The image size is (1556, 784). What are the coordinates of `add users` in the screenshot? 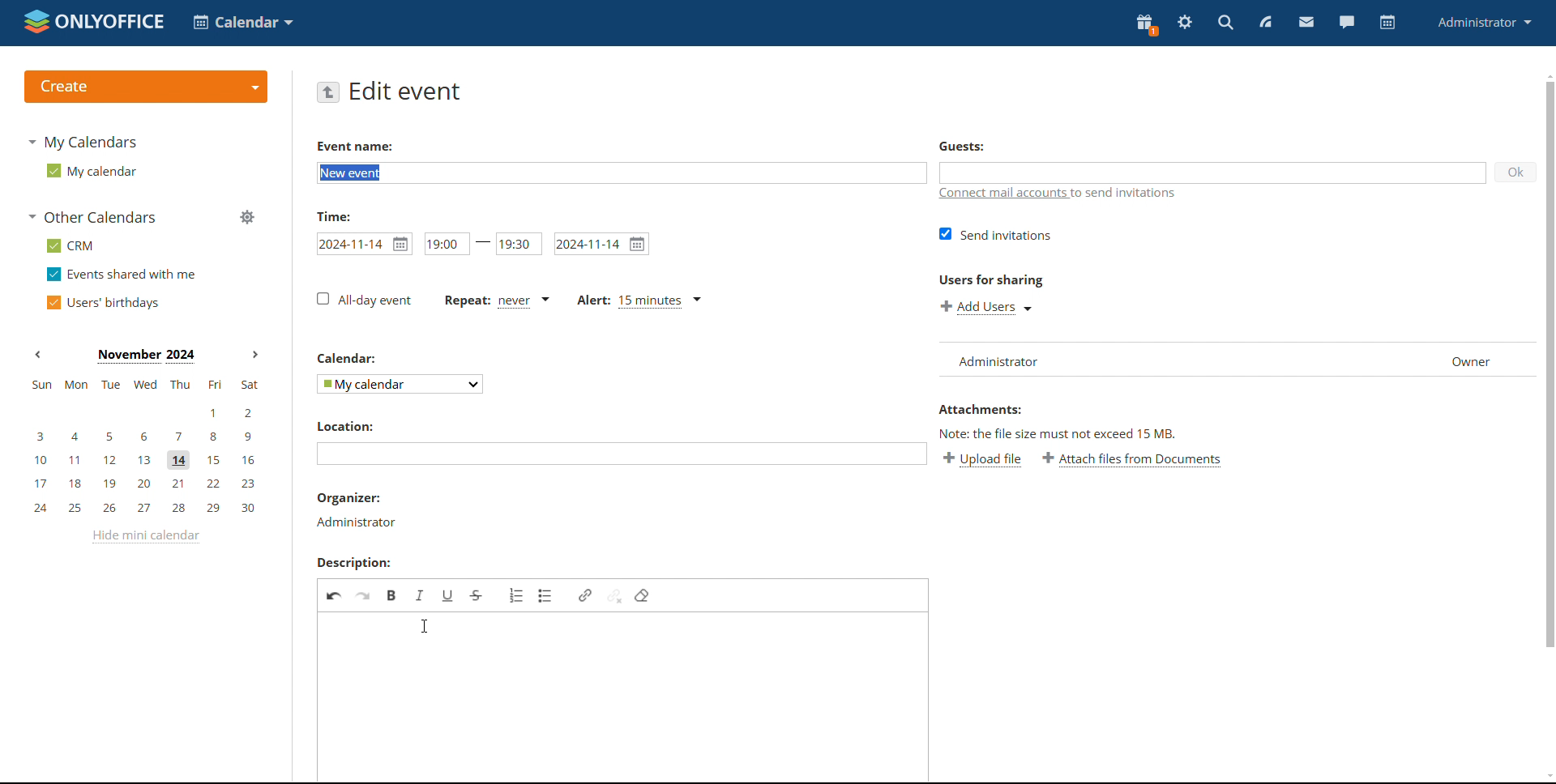 It's located at (986, 308).